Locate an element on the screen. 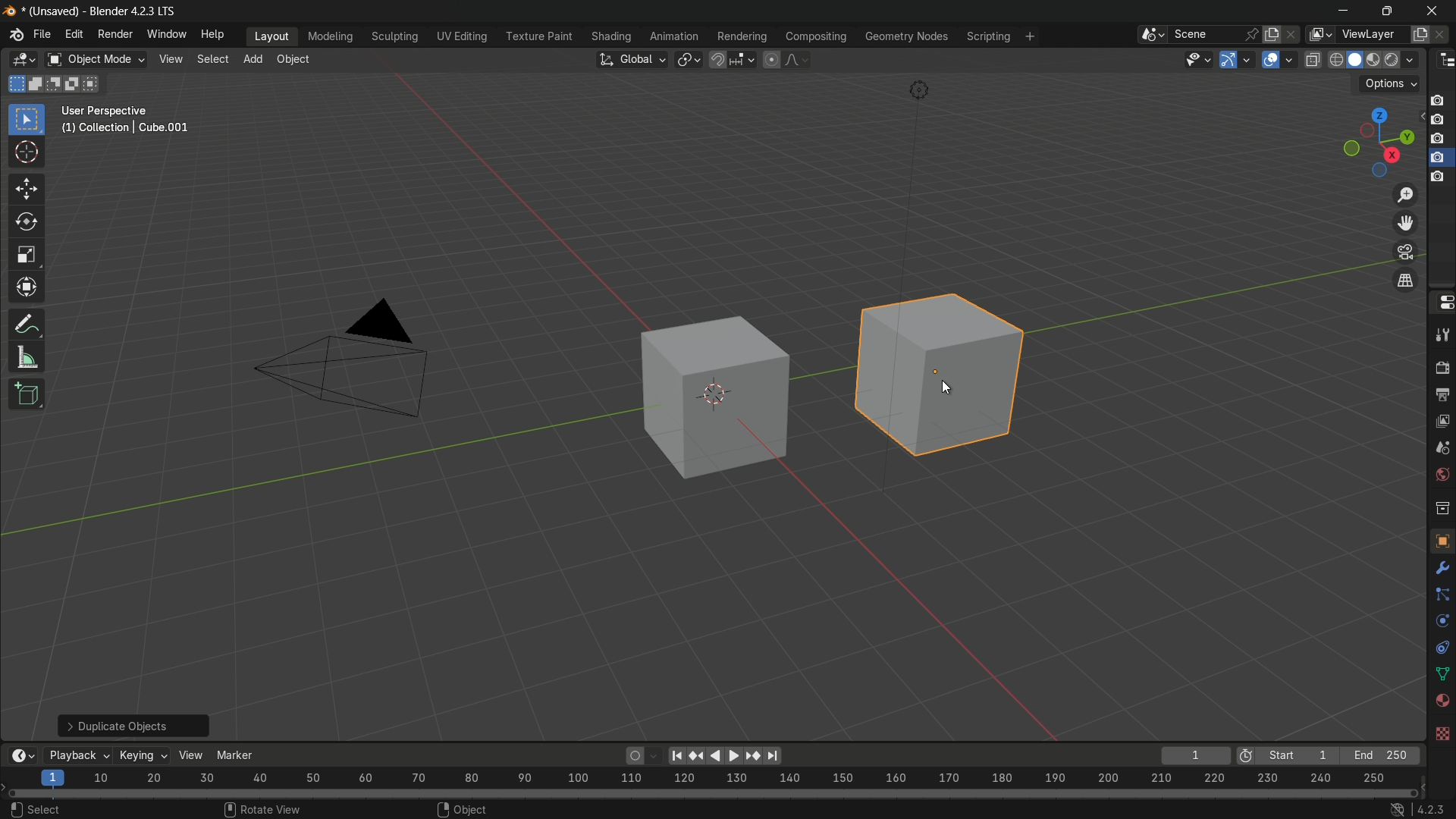 This screenshot has width=1456, height=819. jump to keyframe is located at coordinates (751, 757).